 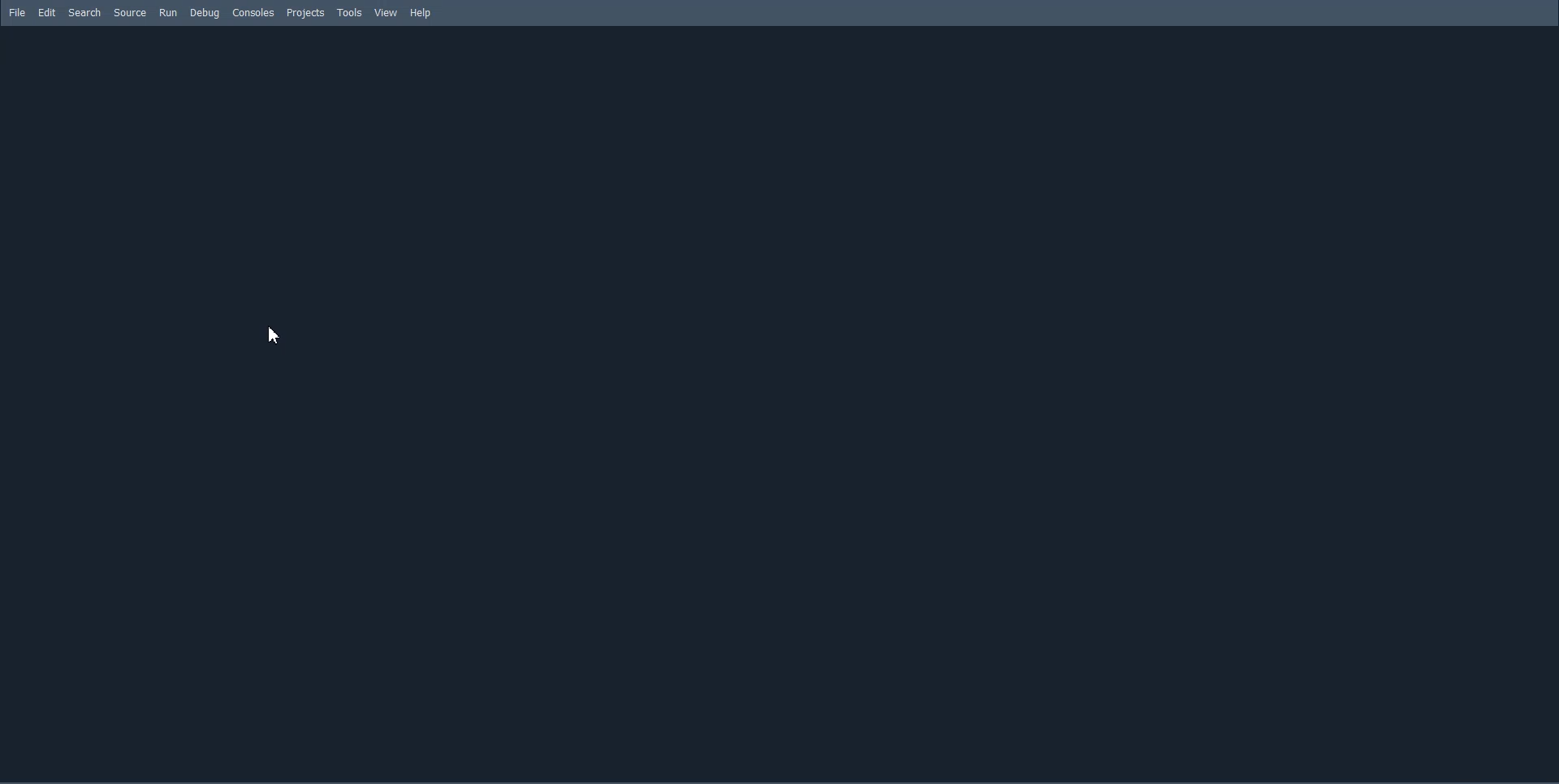 What do you see at coordinates (204, 13) in the screenshot?
I see `Debug` at bounding box center [204, 13].